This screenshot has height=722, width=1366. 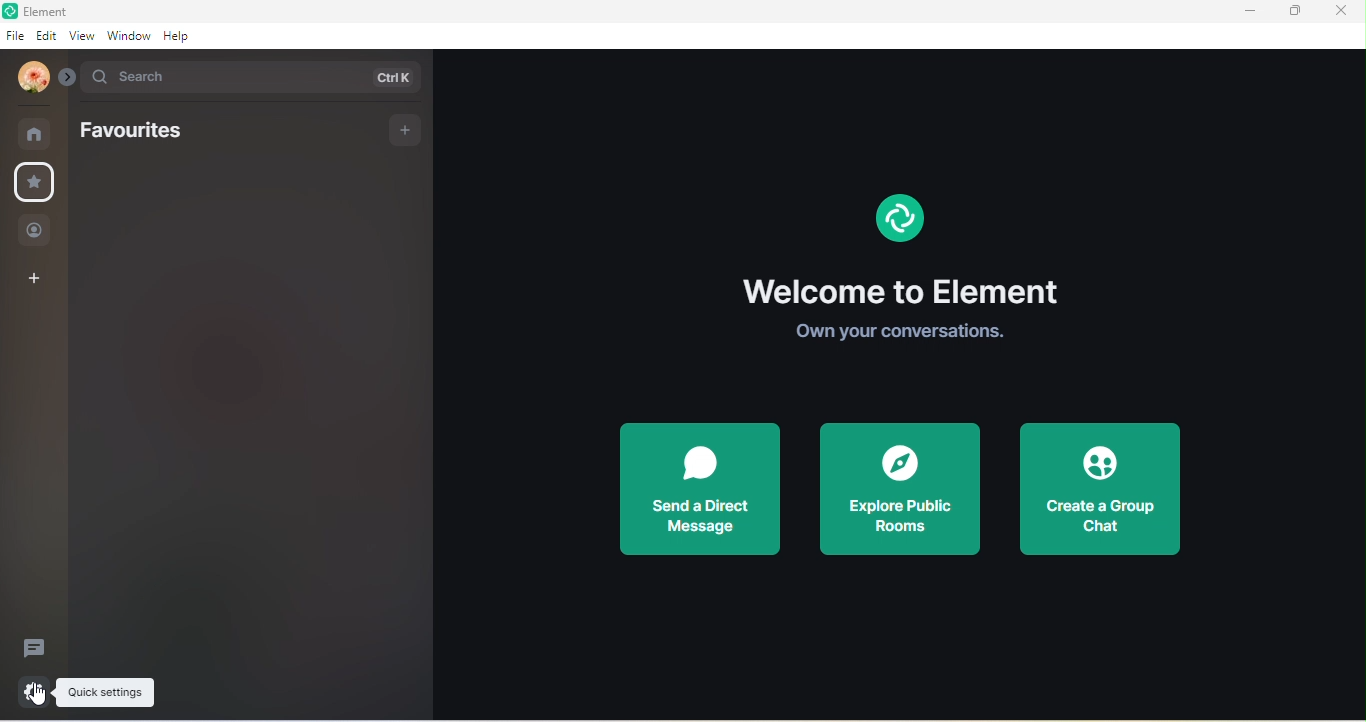 What do you see at coordinates (138, 135) in the screenshot?
I see `favourites` at bounding box center [138, 135].